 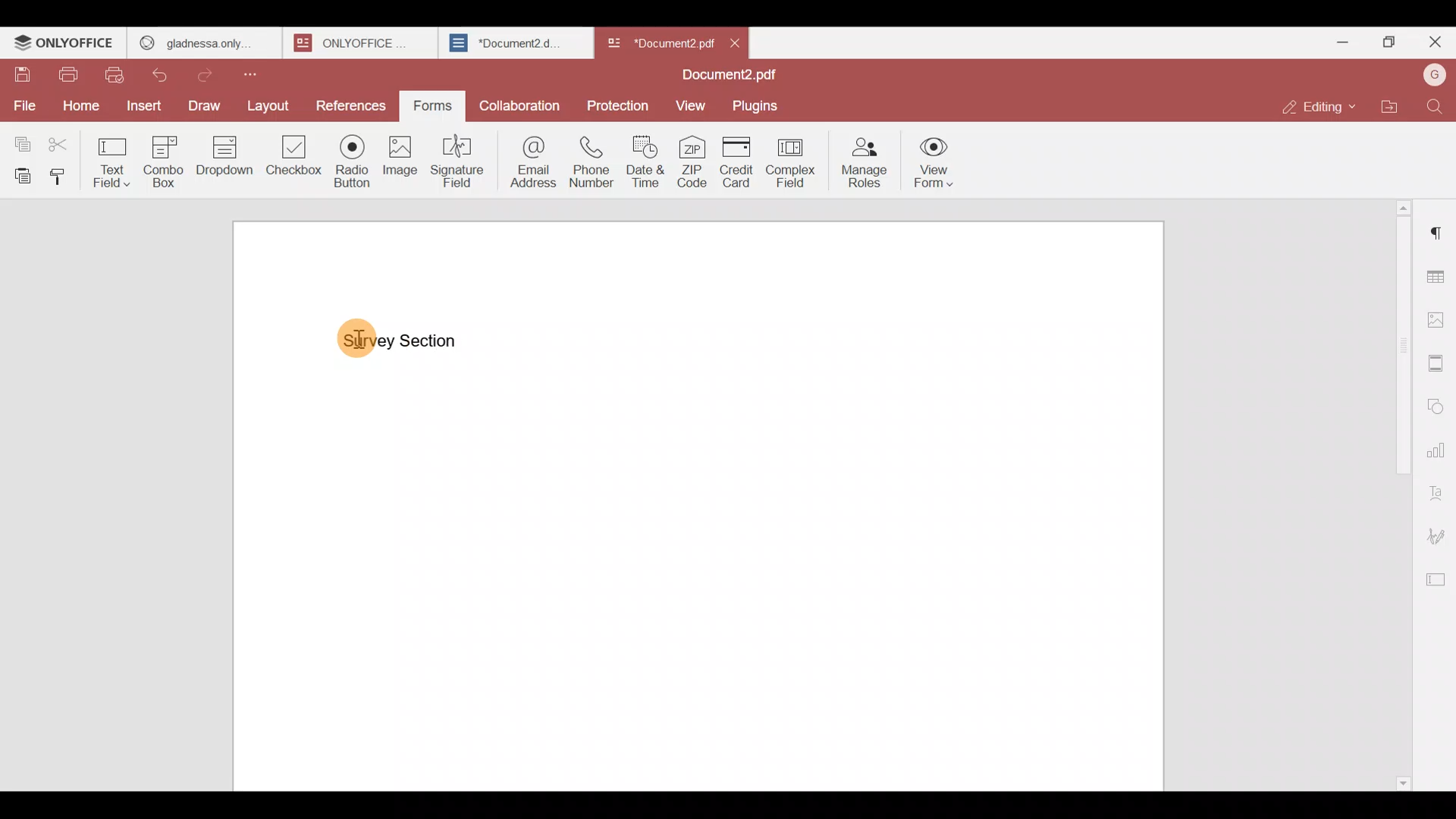 I want to click on Undo, so click(x=163, y=76).